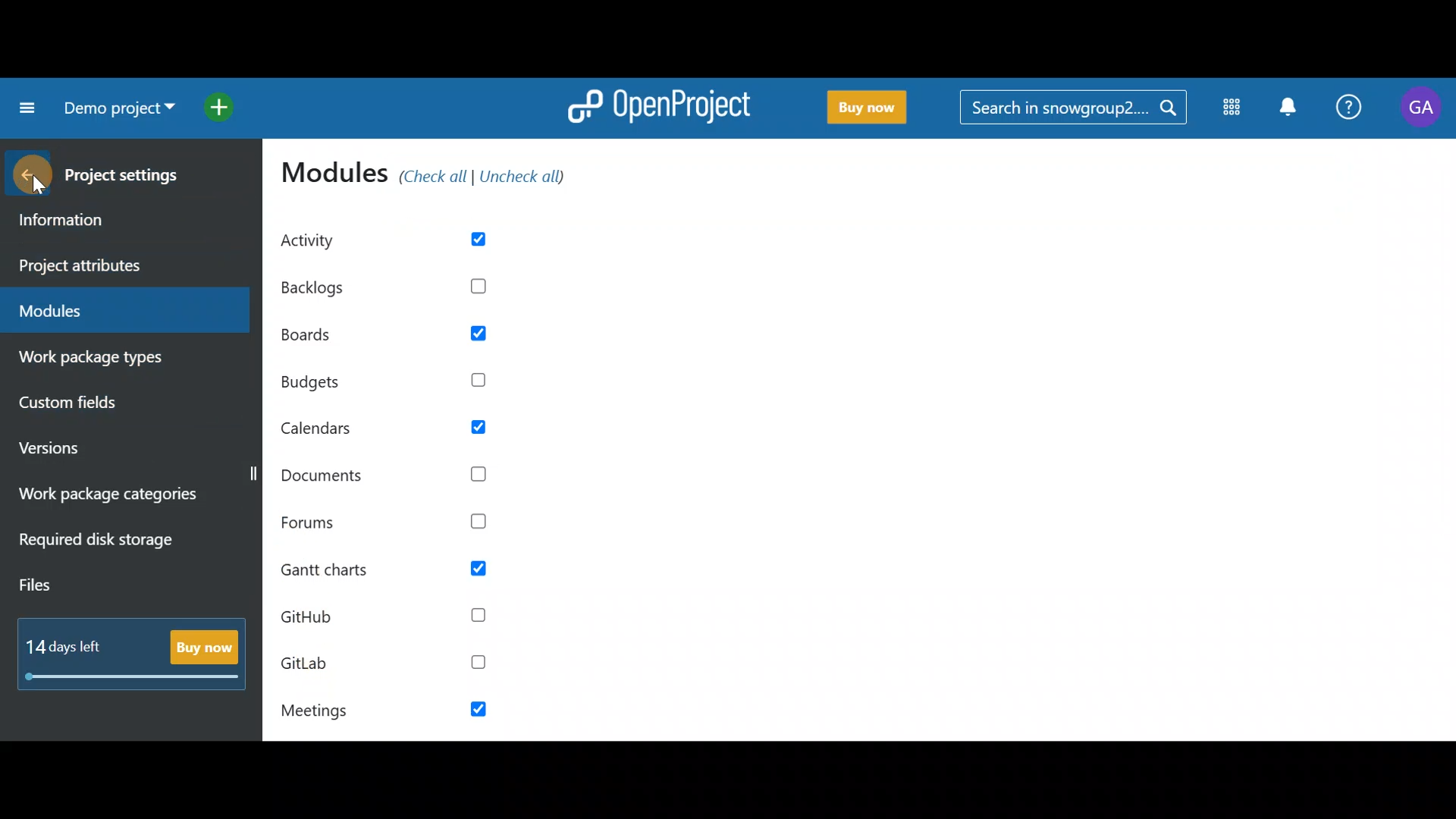 Image resolution: width=1456 pixels, height=819 pixels. Describe the element at coordinates (115, 311) in the screenshot. I see `Modules` at that location.